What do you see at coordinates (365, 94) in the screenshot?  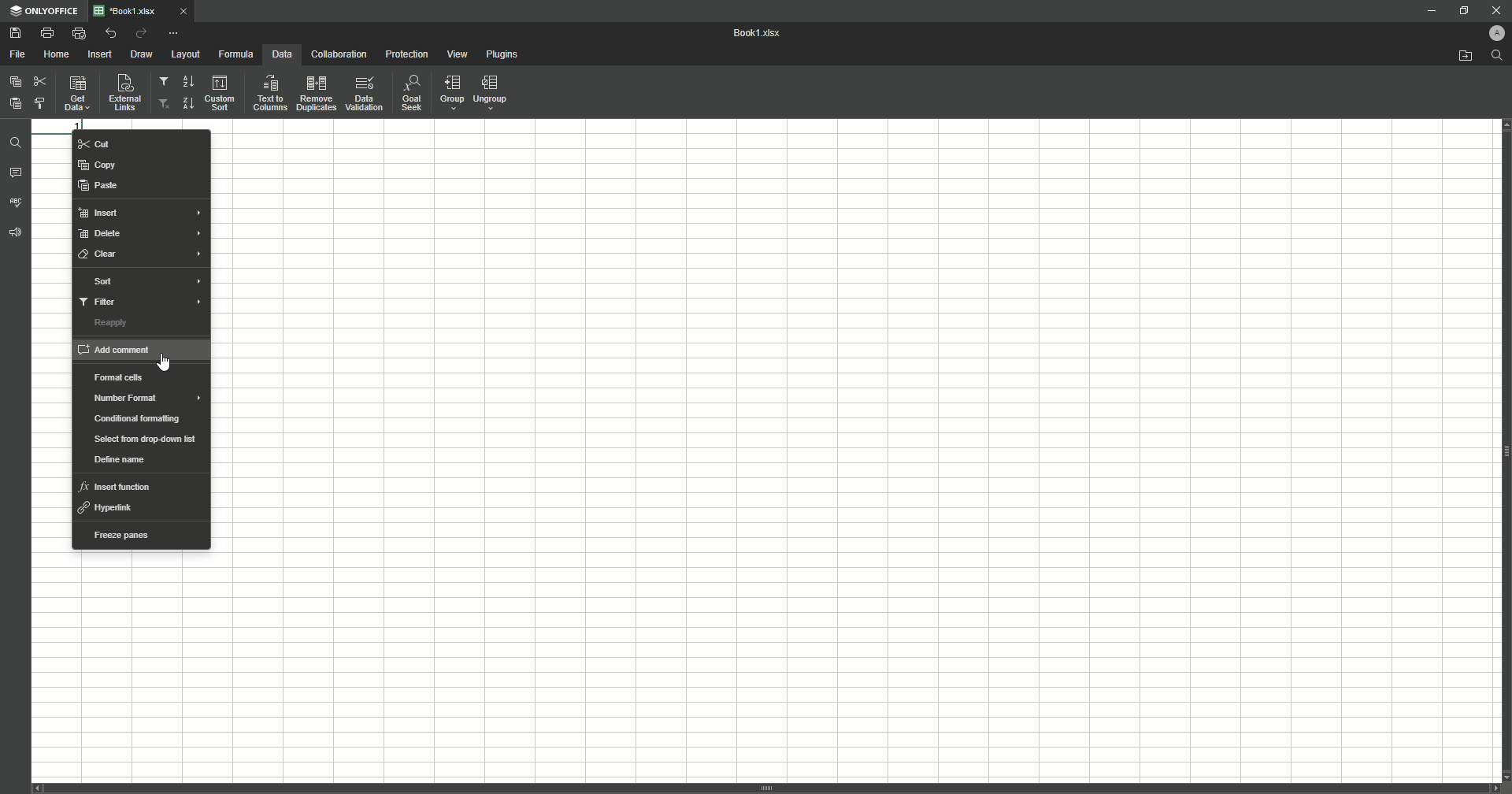 I see `Data Validation` at bounding box center [365, 94].